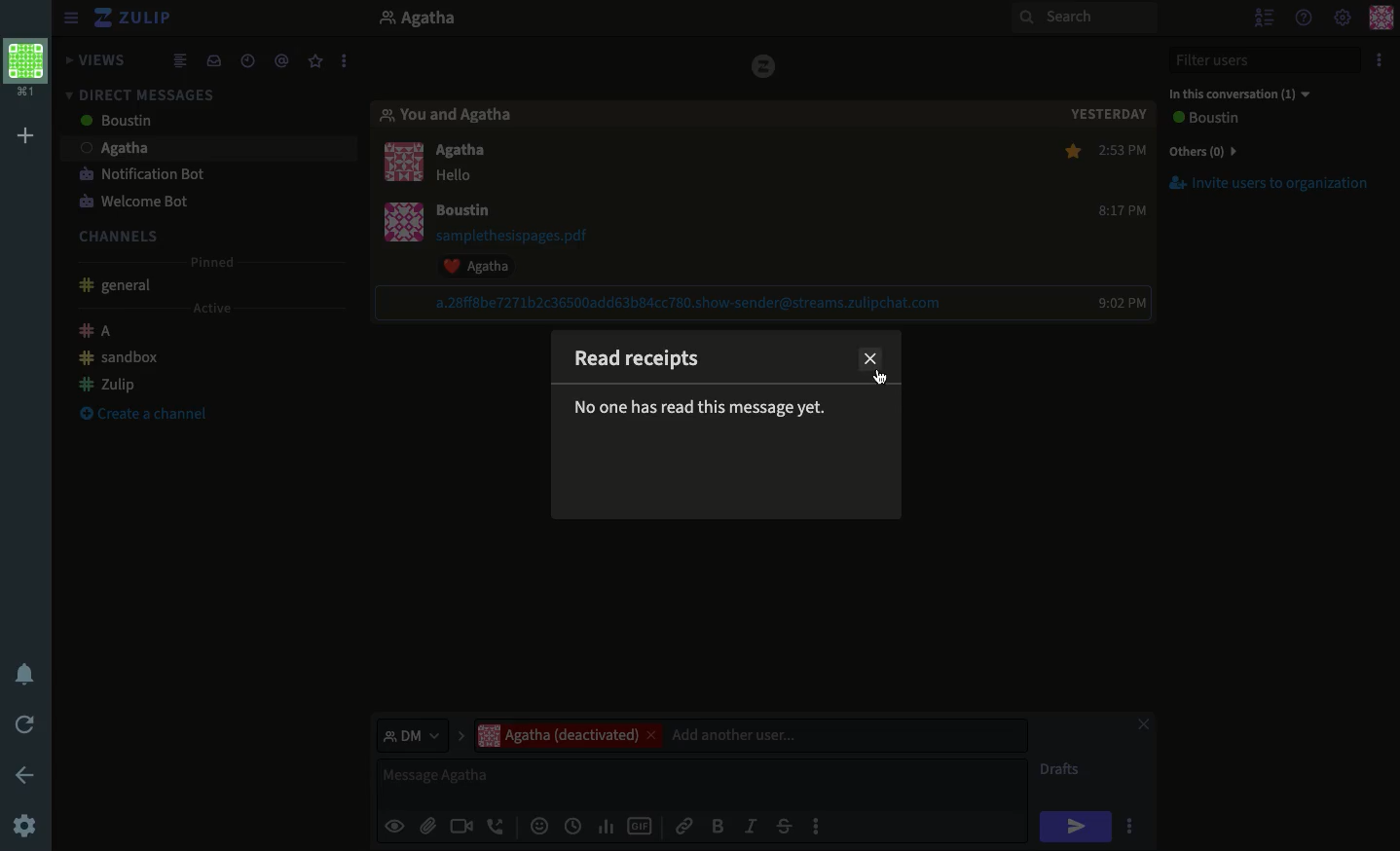  What do you see at coordinates (1068, 153) in the screenshot?
I see `star` at bounding box center [1068, 153].